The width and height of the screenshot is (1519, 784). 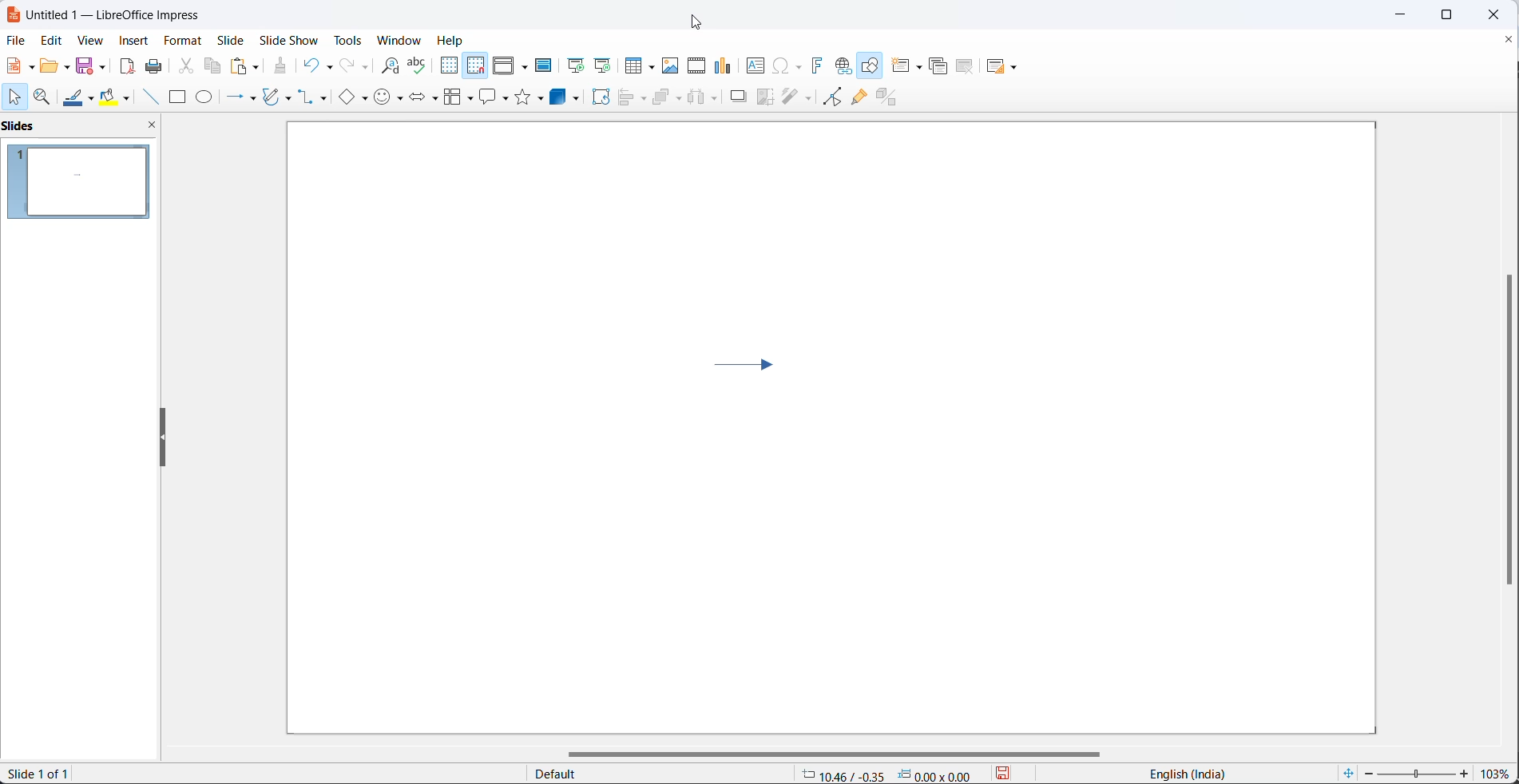 What do you see at coordinates (567, 98) in the screenshot?
I see `3d objects` at bounding box center [567, 98].